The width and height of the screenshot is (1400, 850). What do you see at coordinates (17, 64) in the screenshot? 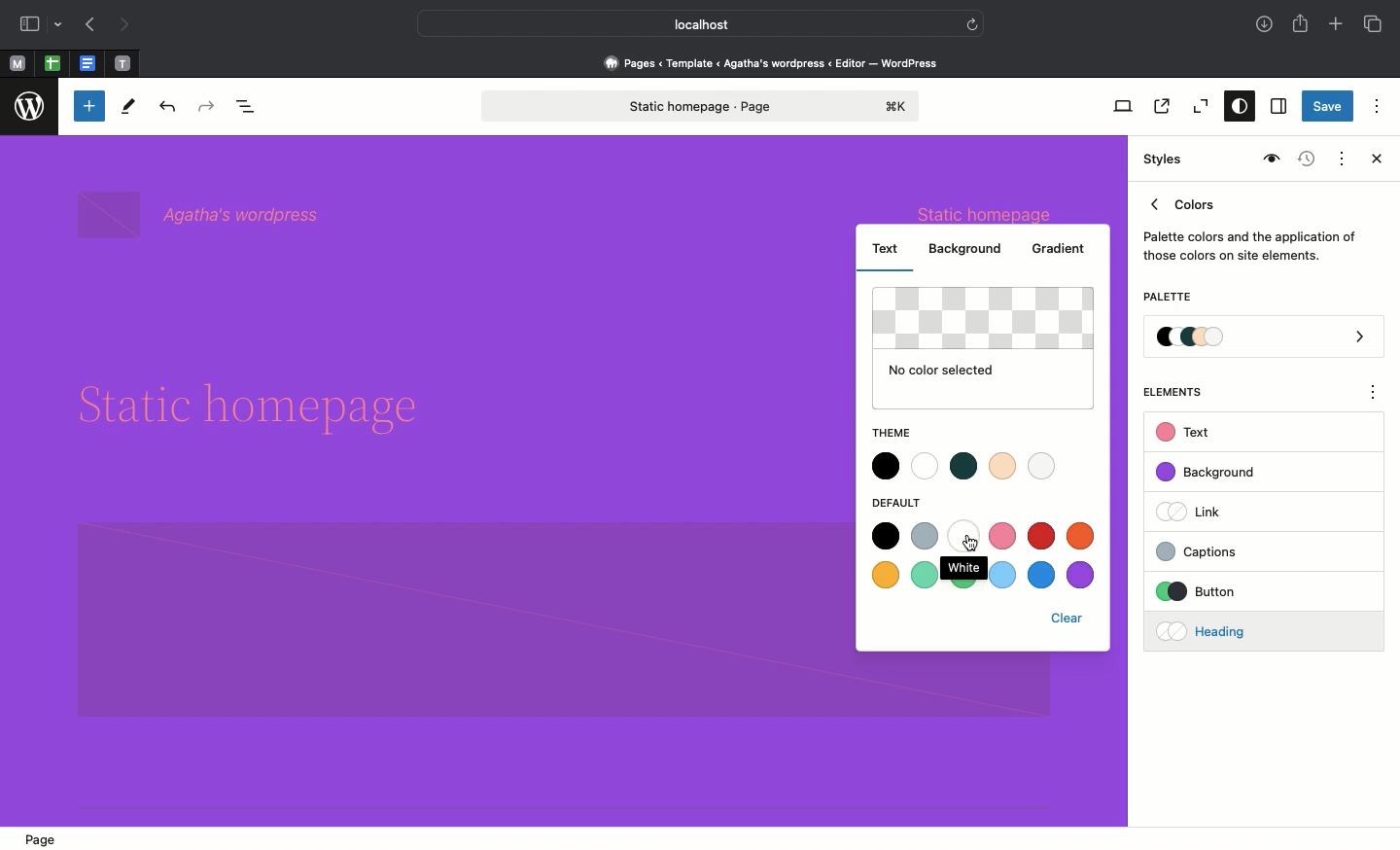
I see `Pinned tab` at bounding box center [17, 64].